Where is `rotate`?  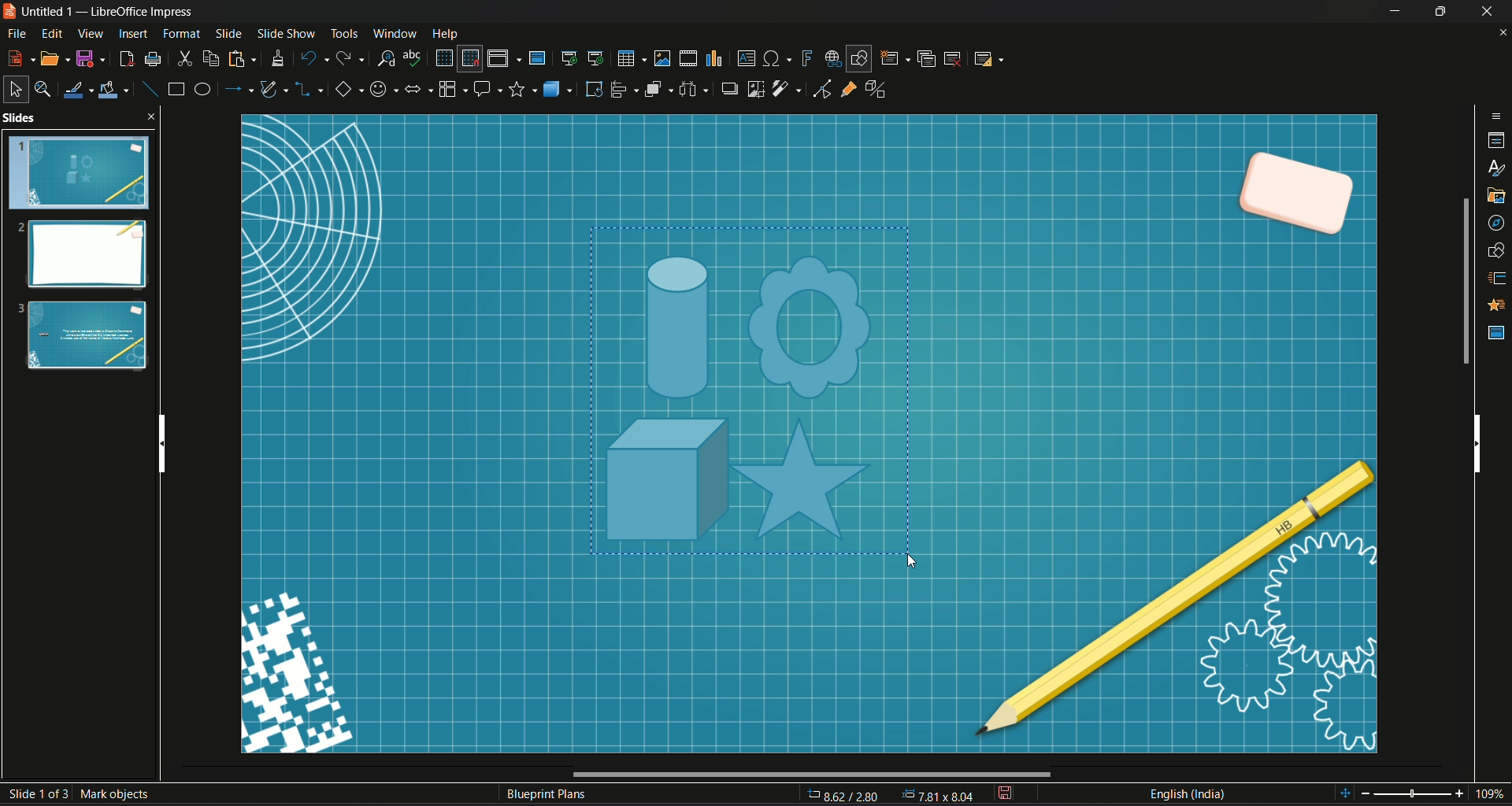
rotate is located at coordinates (594, 89).